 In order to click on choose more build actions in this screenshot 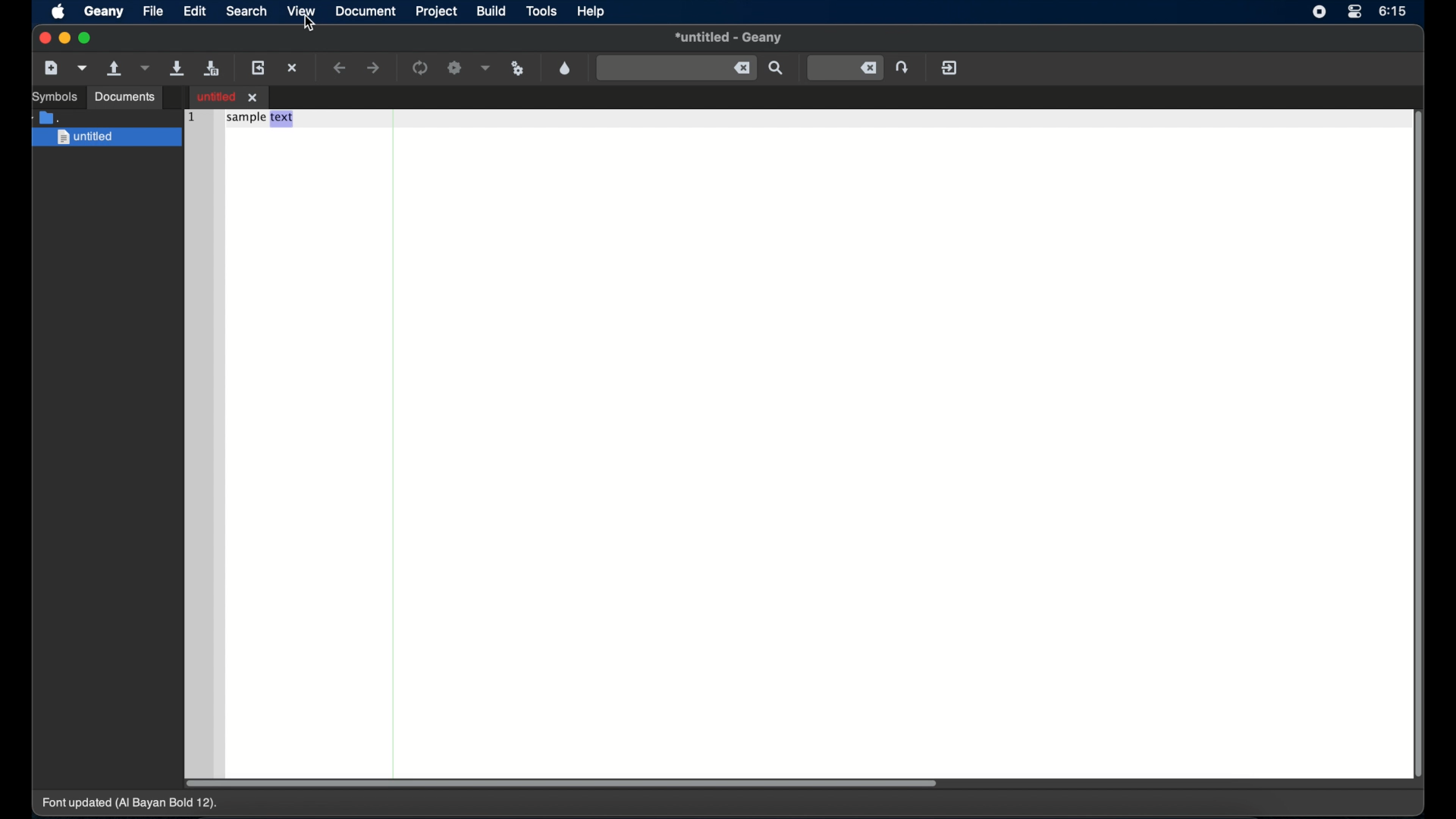, I will do `click(486, 67)`.